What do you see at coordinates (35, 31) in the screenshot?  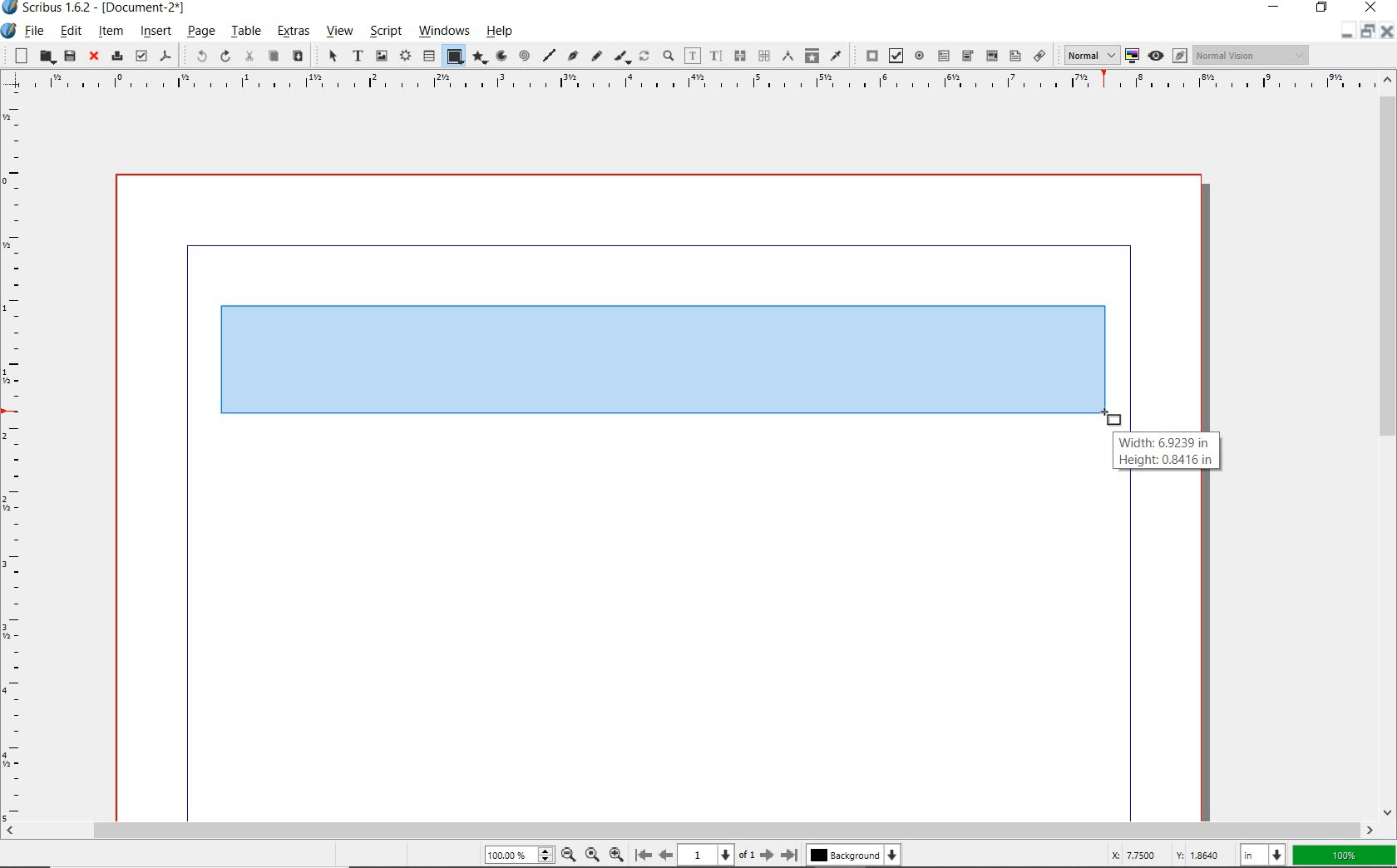 I see `file` at bounding box center [35, 31].